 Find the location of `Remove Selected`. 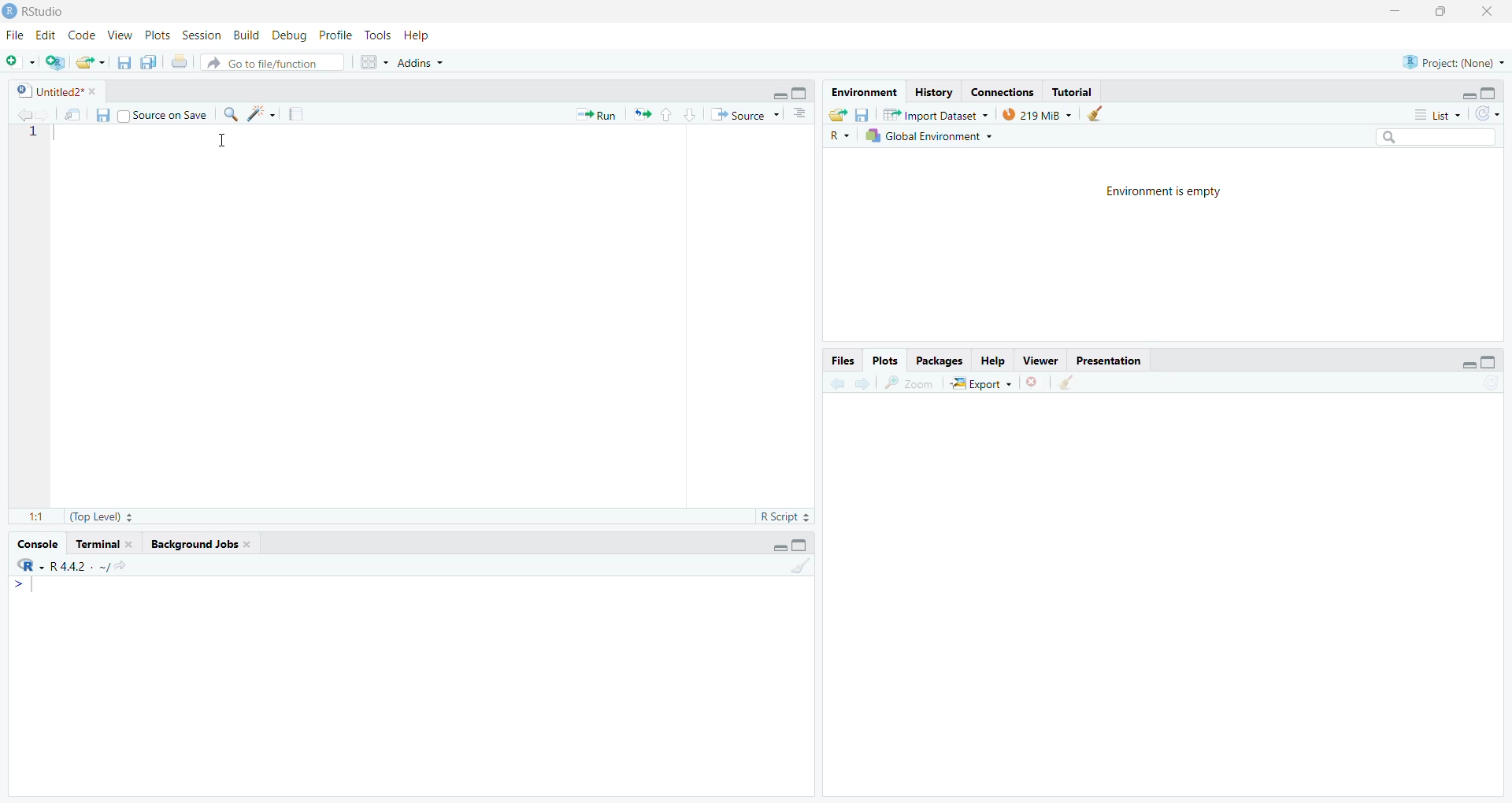

Remove Selected is located at coordinates (1035, 382).